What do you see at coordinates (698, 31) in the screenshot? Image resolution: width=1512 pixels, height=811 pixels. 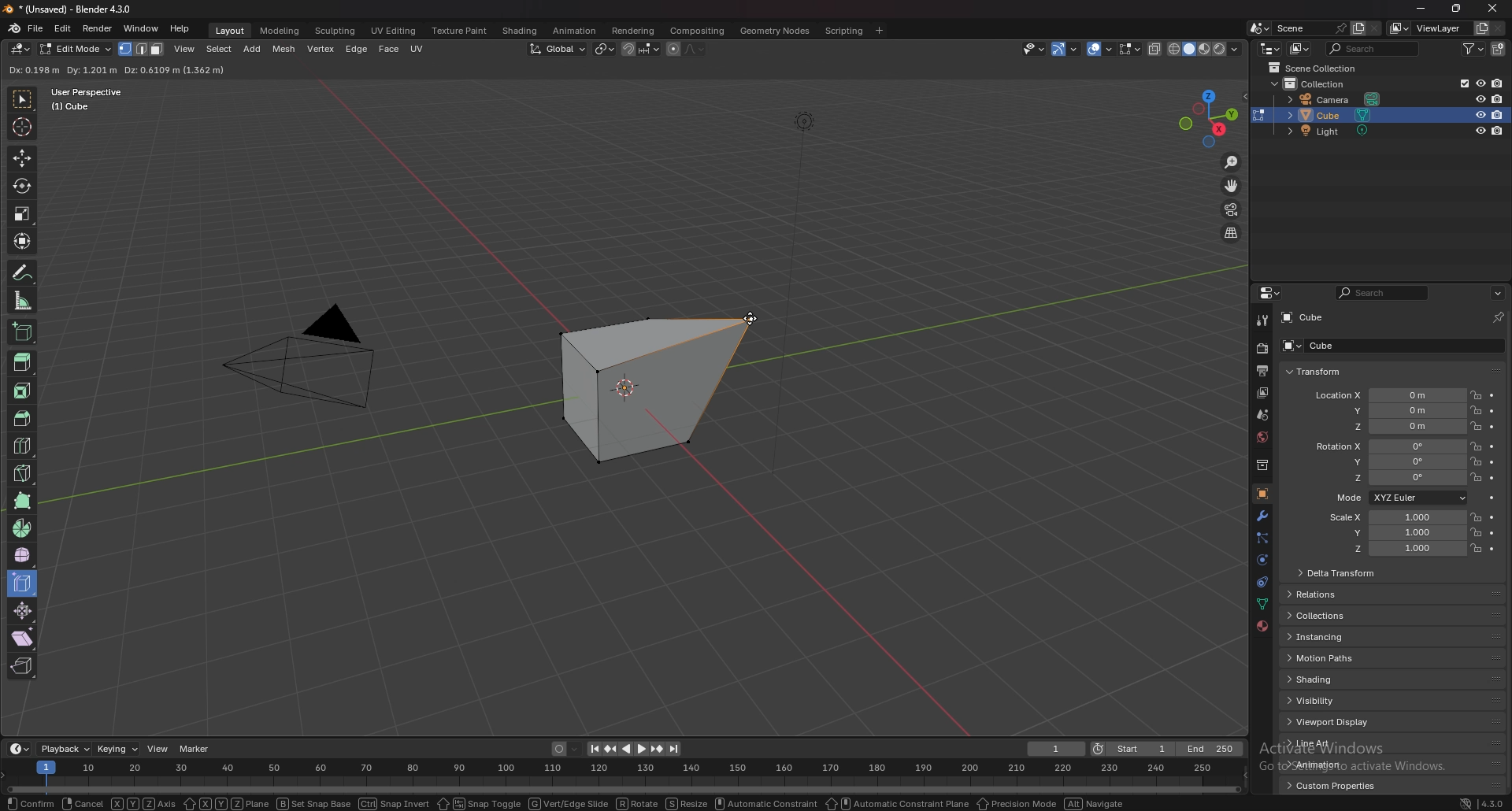 I see `compositing` at bounding box center [698, 31].